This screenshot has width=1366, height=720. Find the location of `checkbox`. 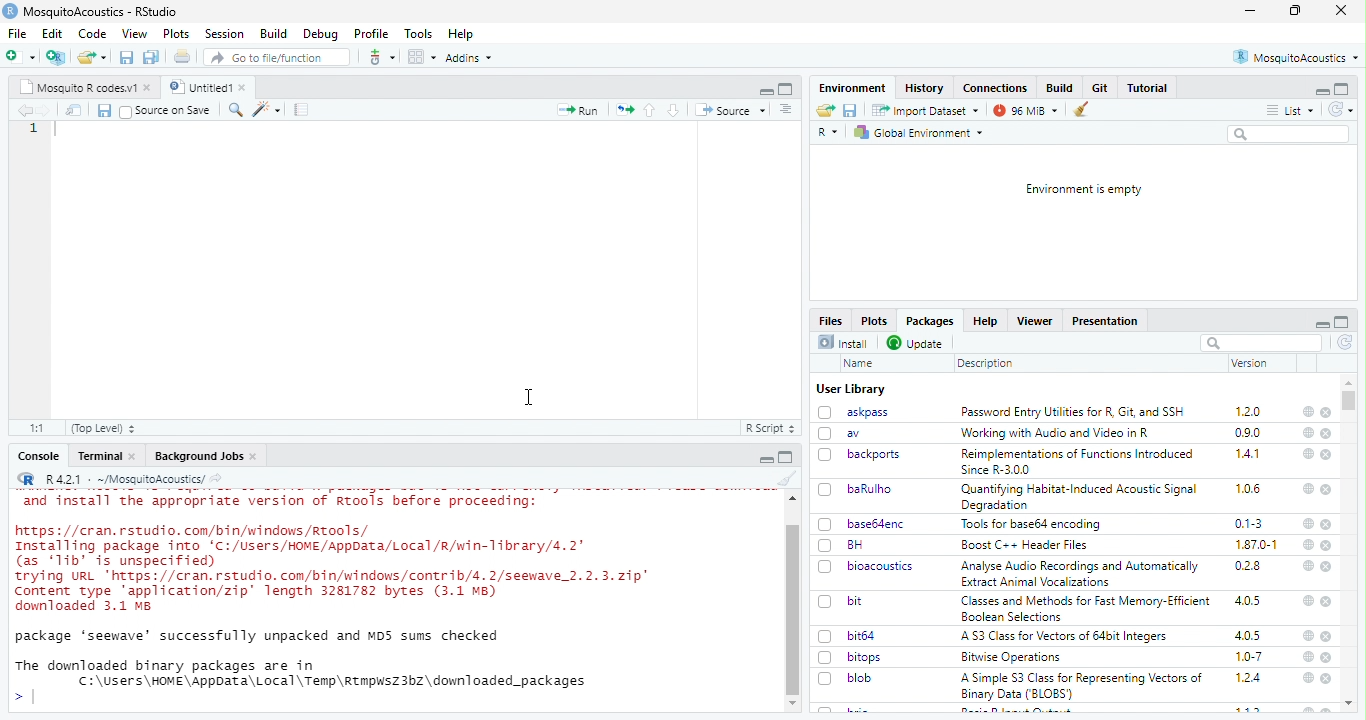

checkbox is located at coordinates (826, 456).